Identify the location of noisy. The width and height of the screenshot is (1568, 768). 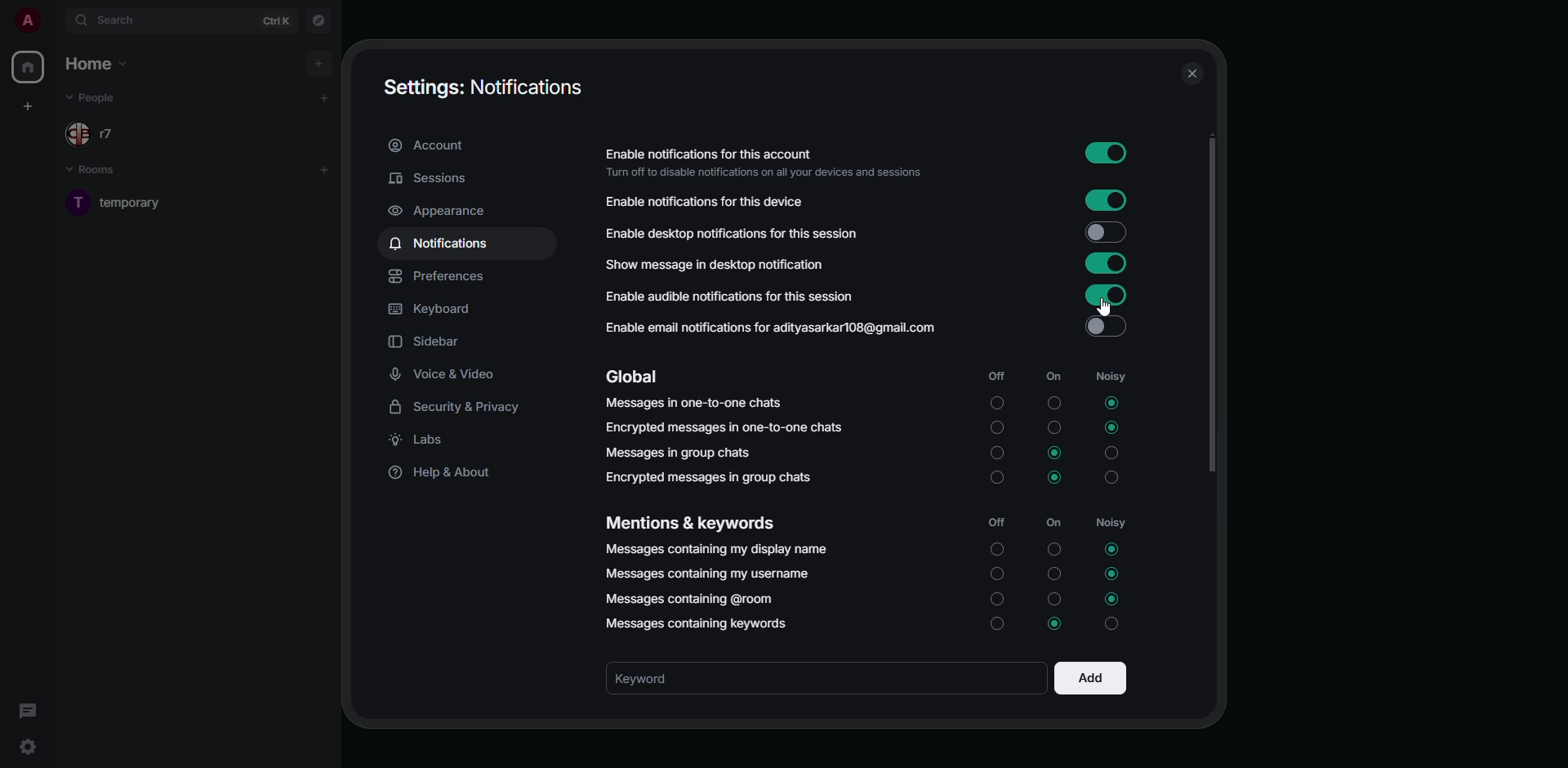
(1116, 479).